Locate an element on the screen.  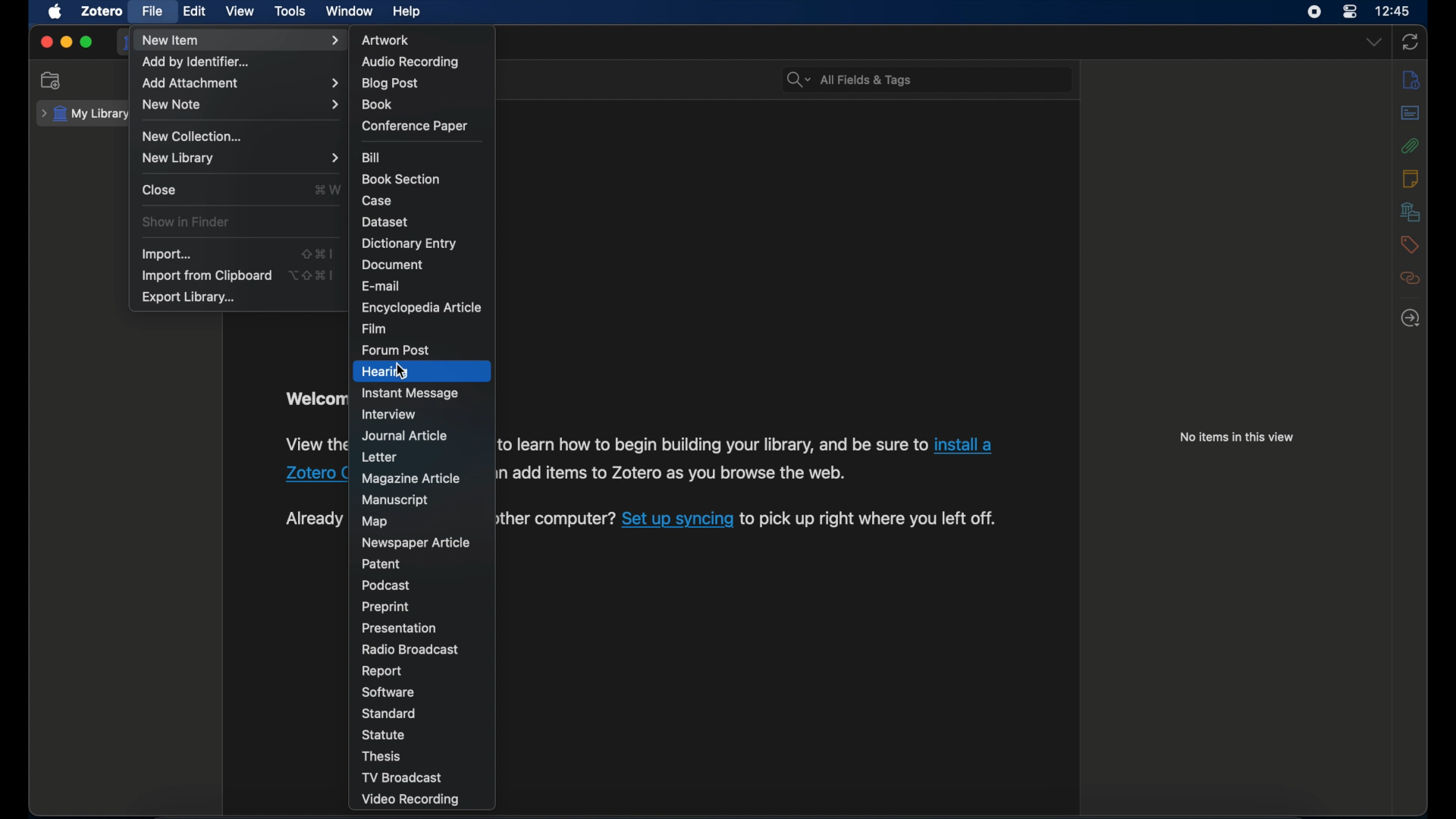
edit is located at coordinates (196, 11).